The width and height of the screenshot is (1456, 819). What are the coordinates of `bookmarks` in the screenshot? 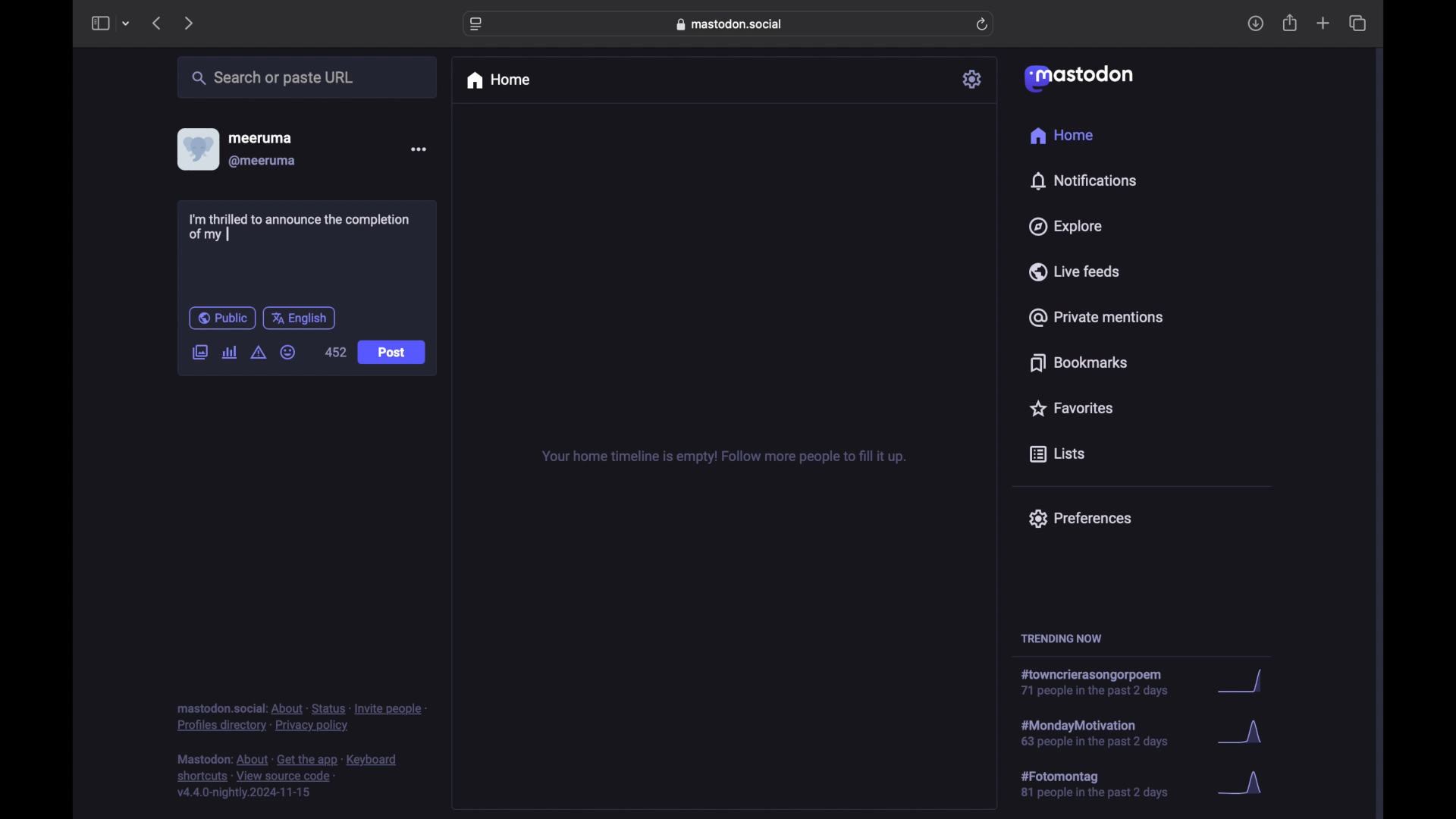 It's located at (1081, 362).